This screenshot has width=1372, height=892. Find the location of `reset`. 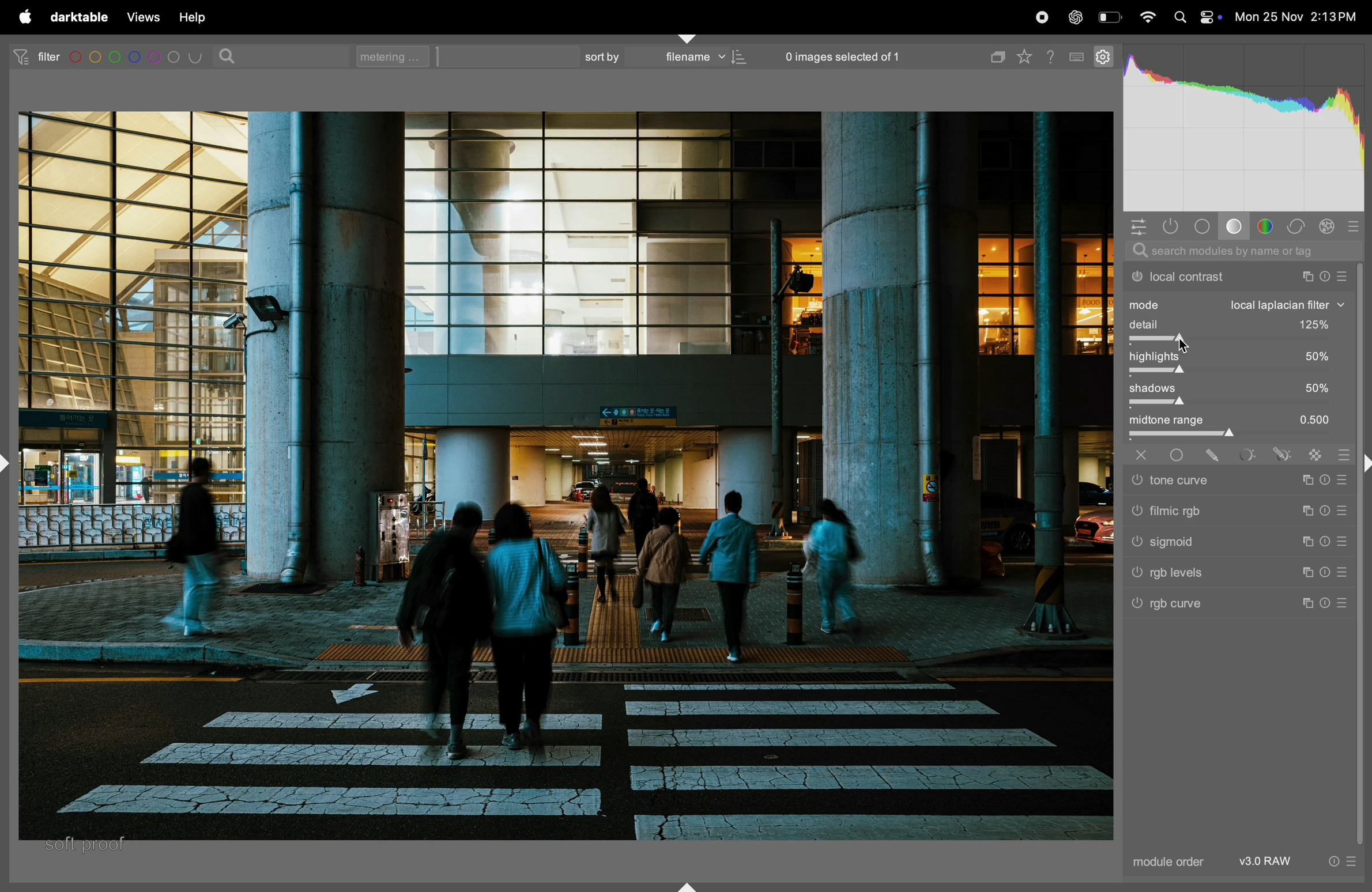

reset is located at coordinates (1326, 543).